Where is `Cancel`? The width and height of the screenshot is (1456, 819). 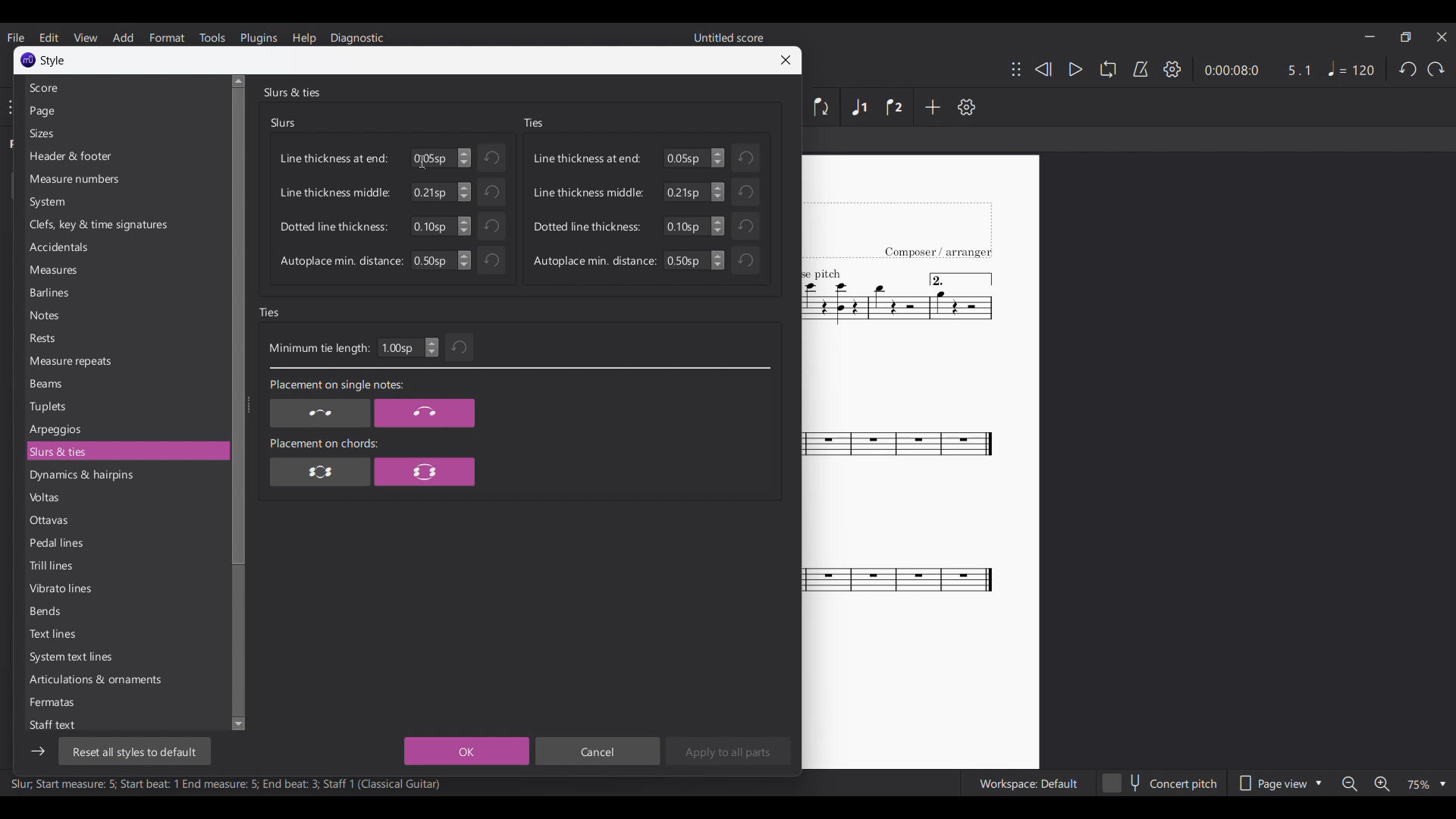 Cancel is located at coordinates (597, 751).